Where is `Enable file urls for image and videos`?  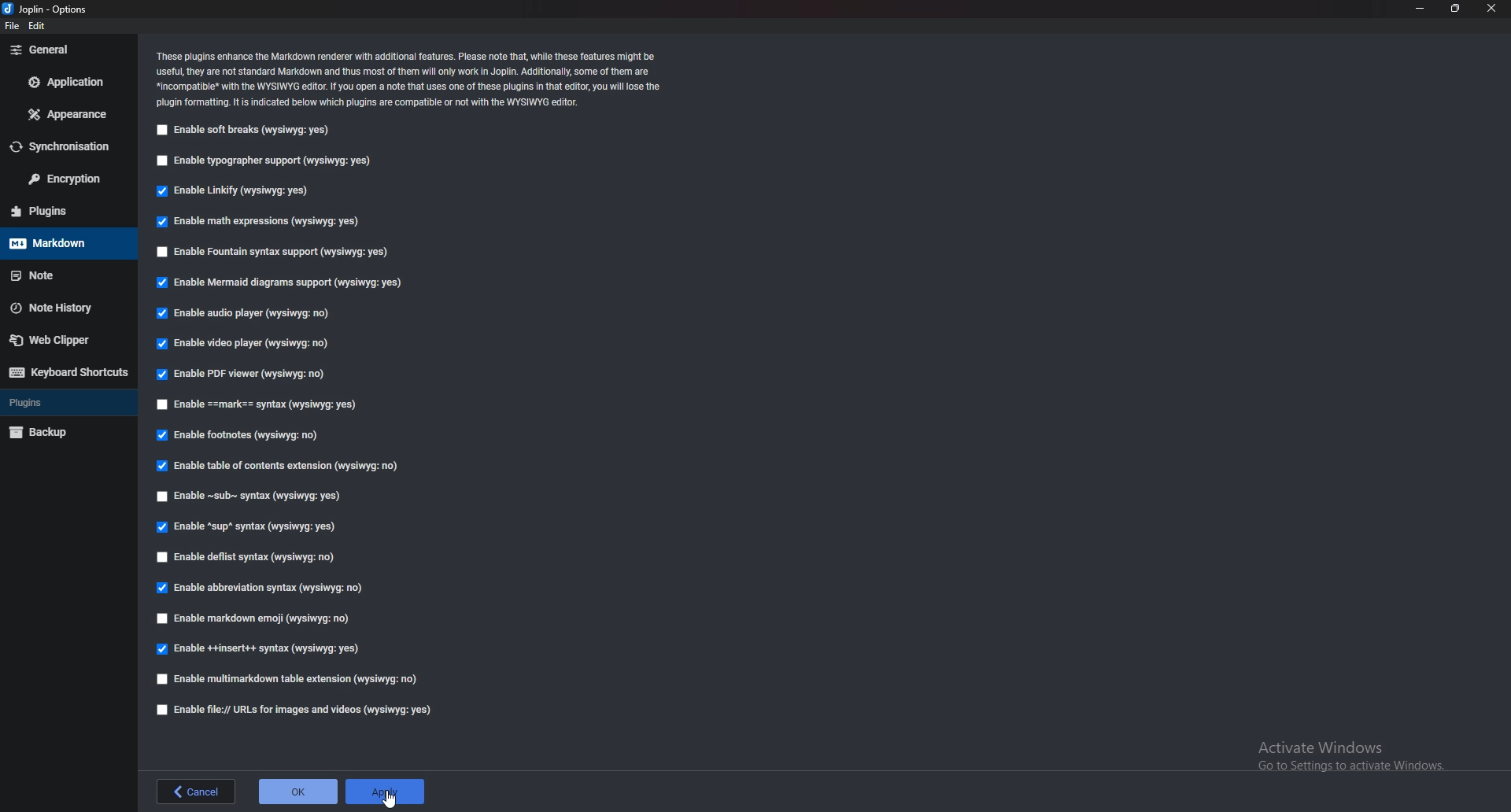
Enable file urls for image and videos is located at coordinates (306, 709).